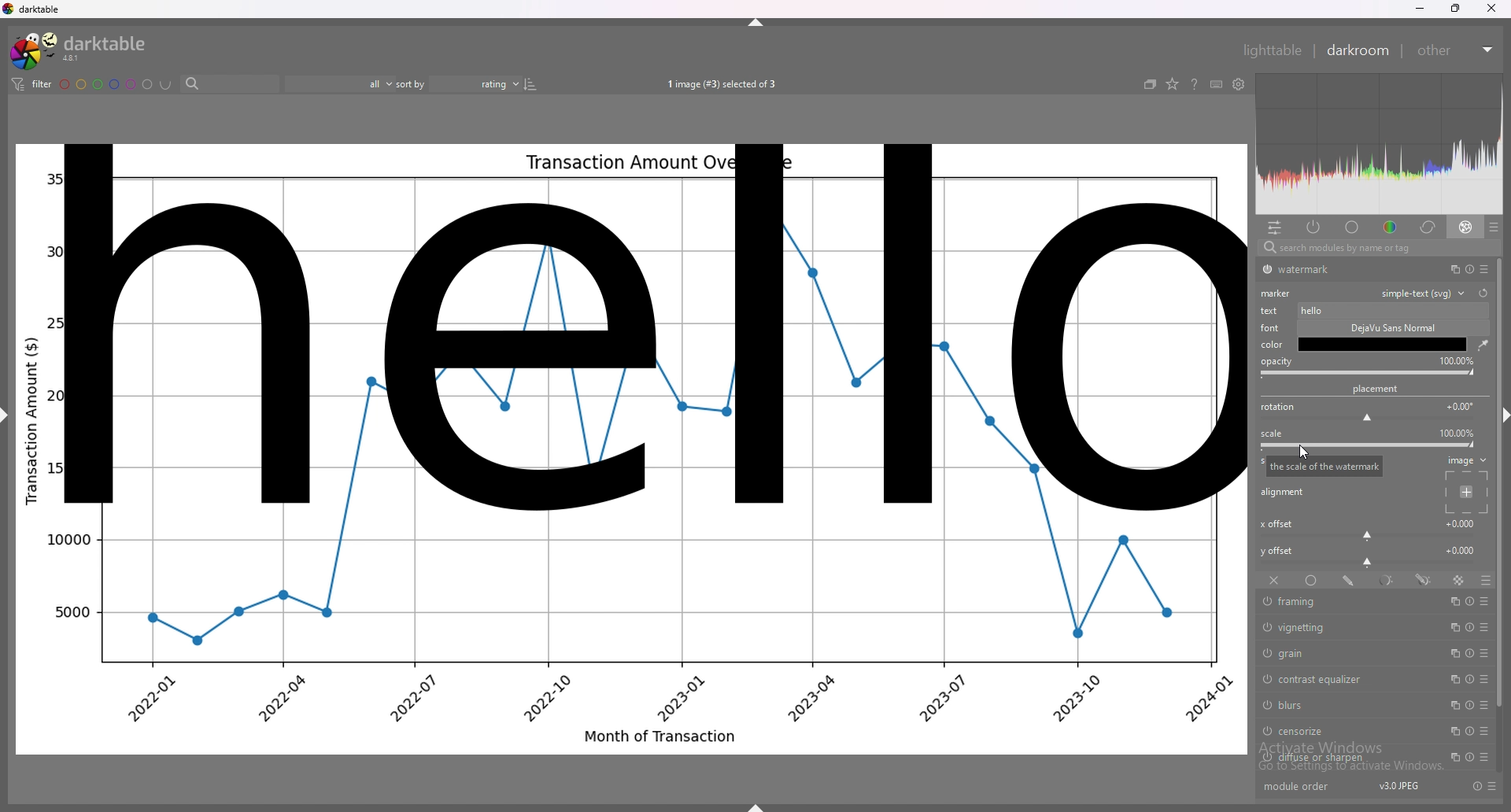 This screenshot has width=1511, height=812. Describe the element at coordinates (79, 50) in the screenshot. I see `darktable` at that location.